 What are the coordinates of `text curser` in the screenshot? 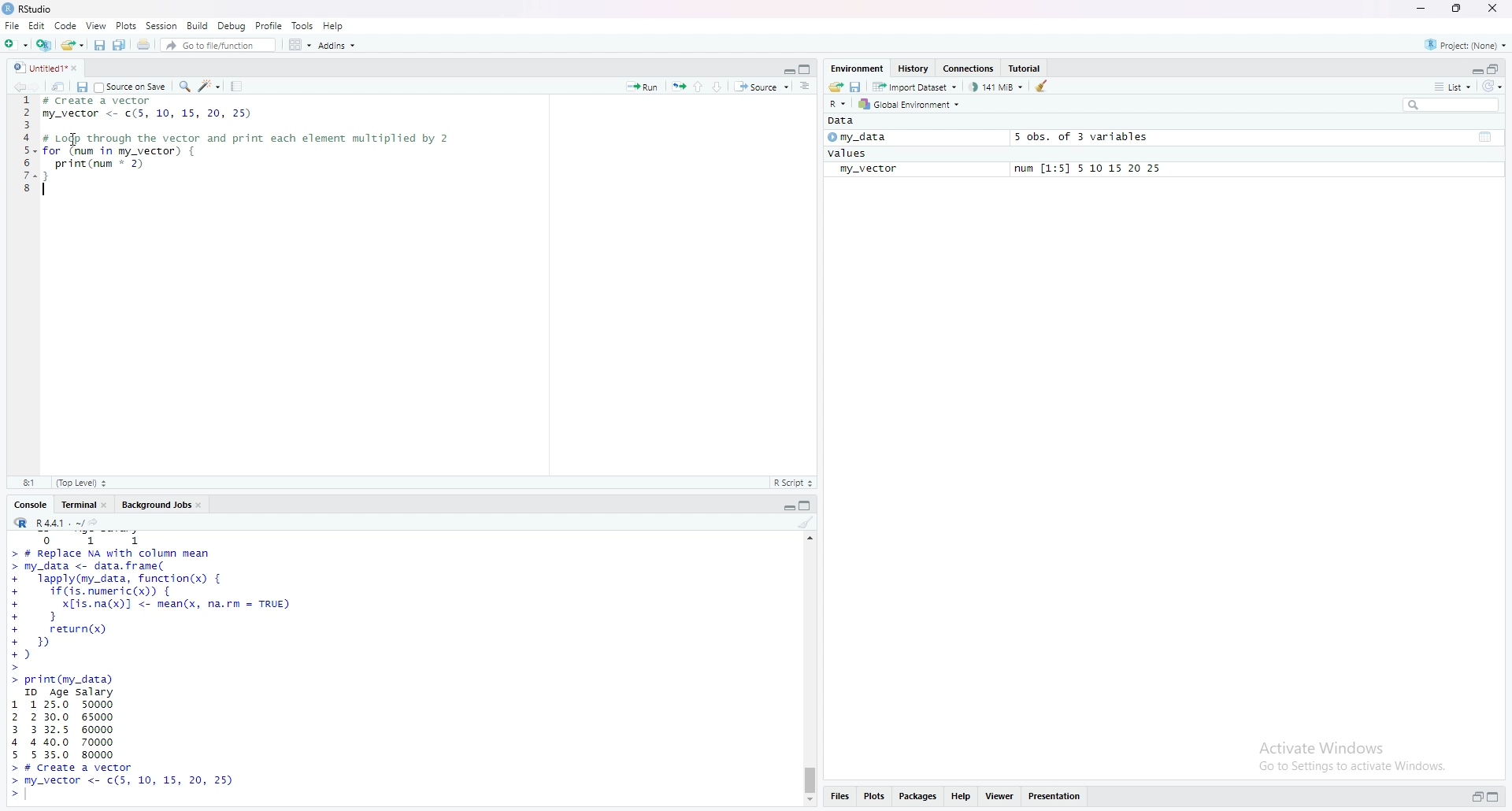 It's located at (31, 795).